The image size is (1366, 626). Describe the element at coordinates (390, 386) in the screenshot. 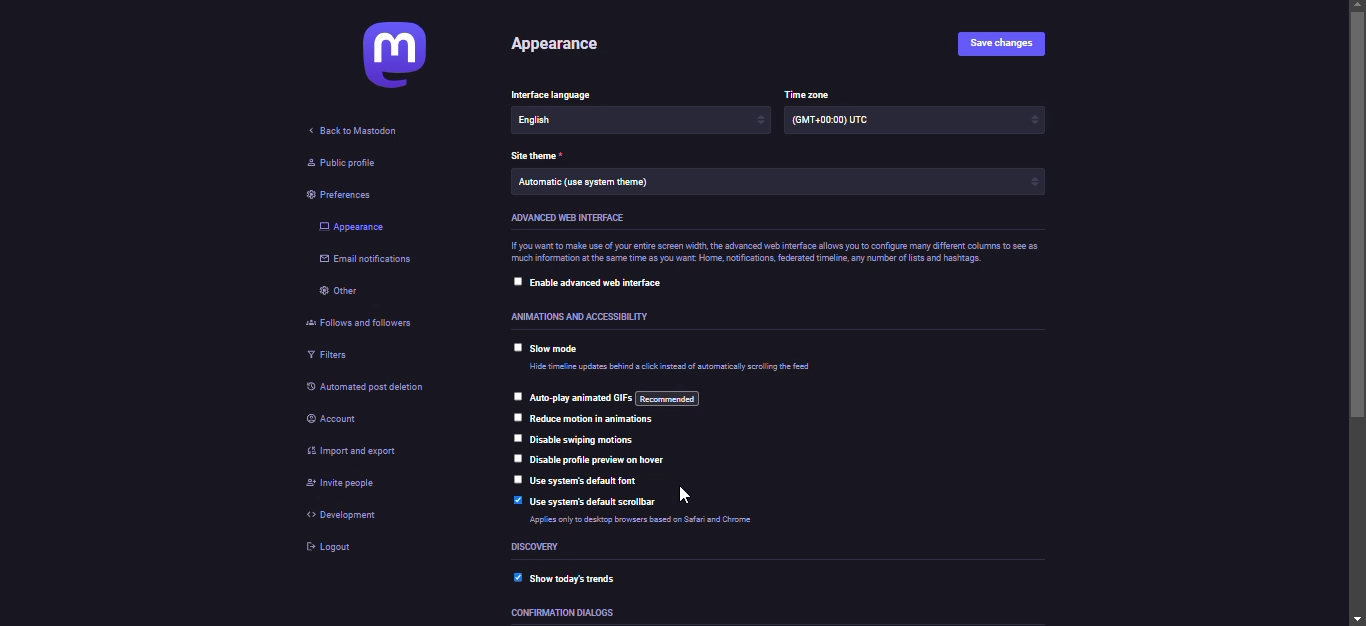

I see `automated post deletion` at that location.